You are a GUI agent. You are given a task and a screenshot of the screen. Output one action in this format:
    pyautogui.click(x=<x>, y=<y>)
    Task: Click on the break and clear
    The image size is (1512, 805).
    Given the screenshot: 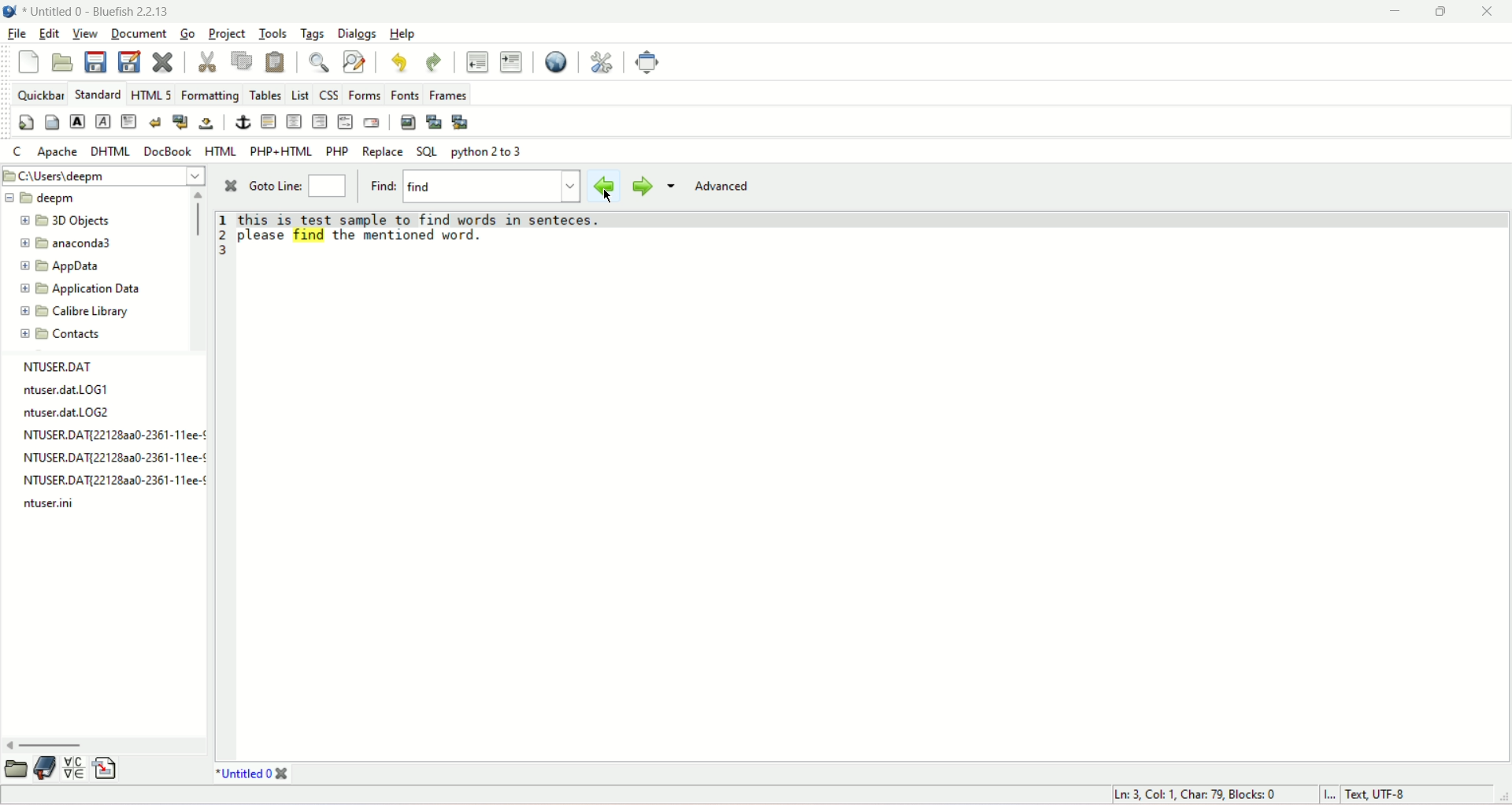 What is the action you would take?
    pyautogui.click(x=181, y=123)
    